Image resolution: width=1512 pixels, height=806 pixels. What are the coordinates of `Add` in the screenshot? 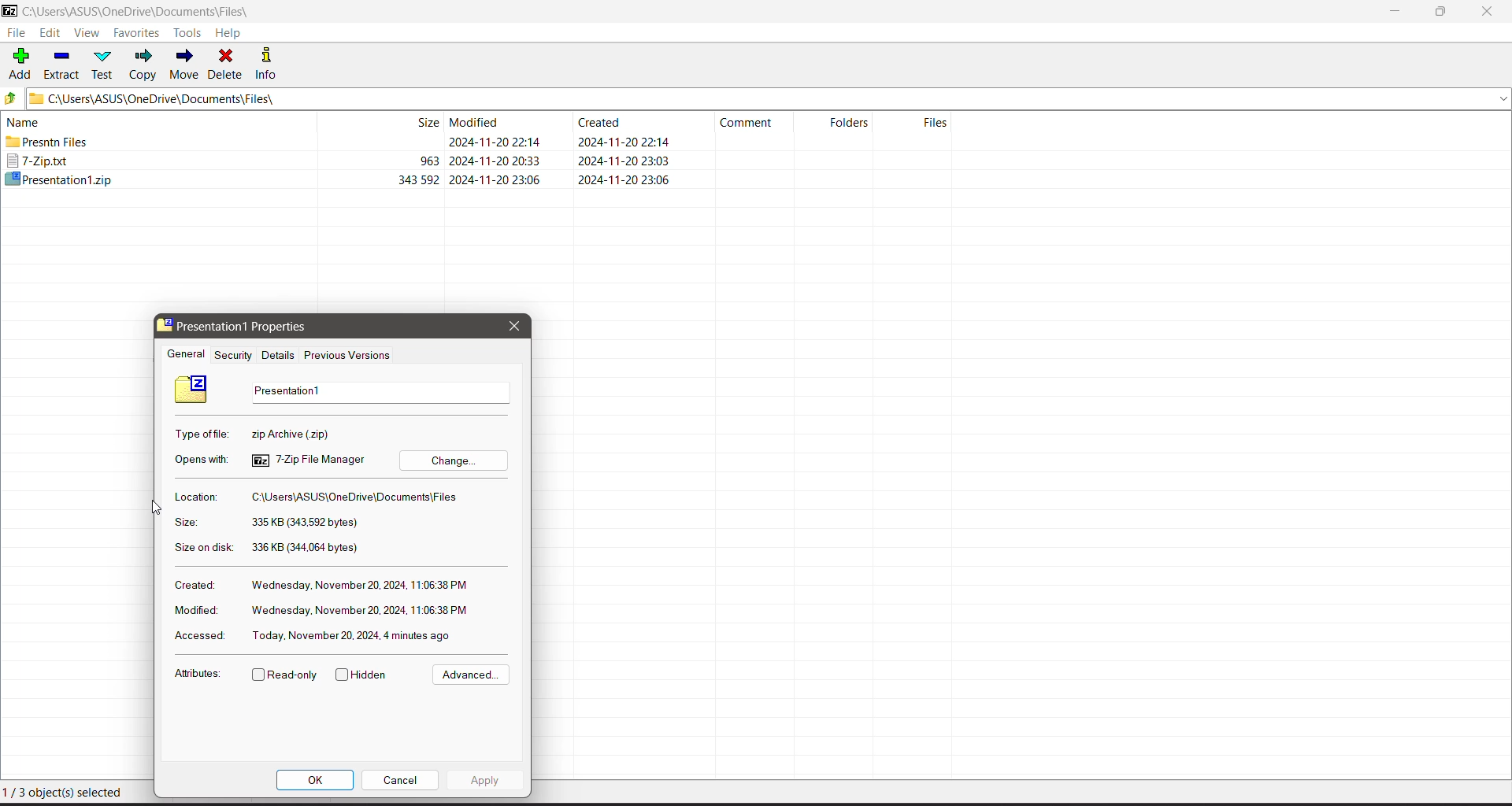 It's located at (20, 62).